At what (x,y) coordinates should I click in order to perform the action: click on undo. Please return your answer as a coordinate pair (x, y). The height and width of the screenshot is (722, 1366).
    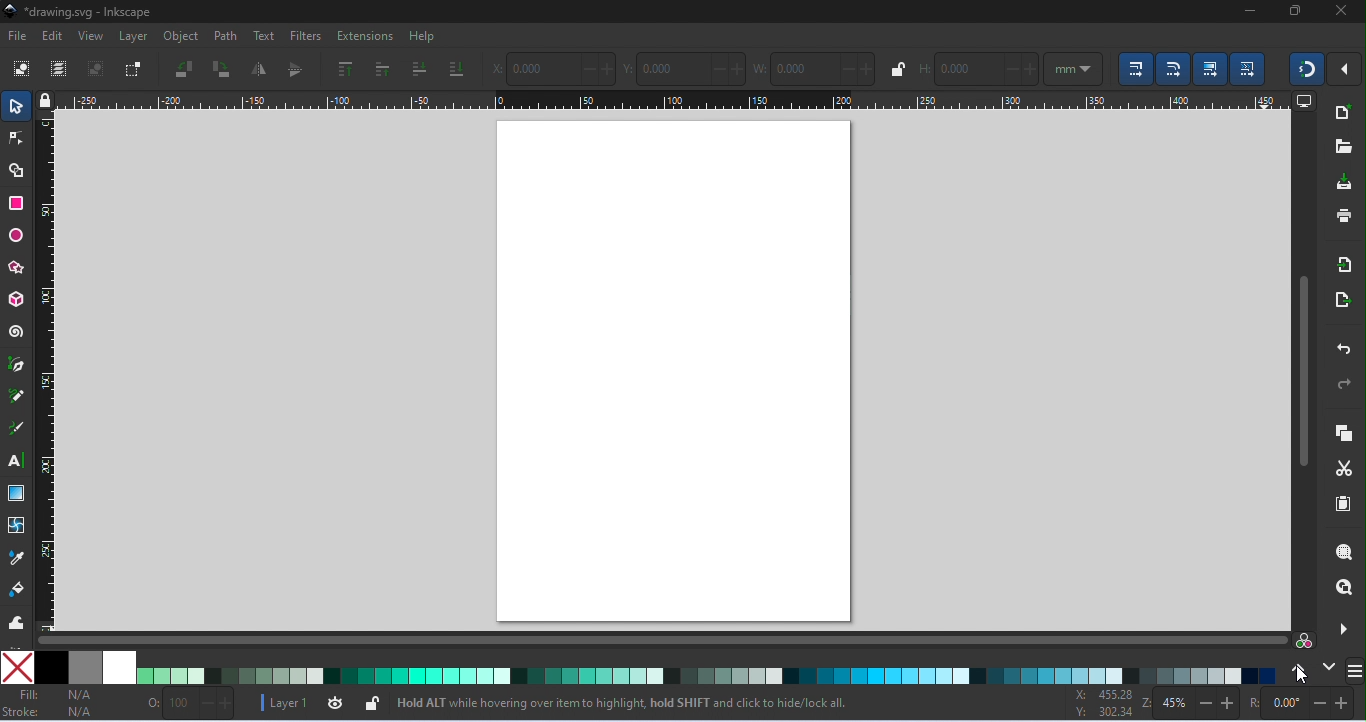
    Looking at the image, I should click on (1340, 347).